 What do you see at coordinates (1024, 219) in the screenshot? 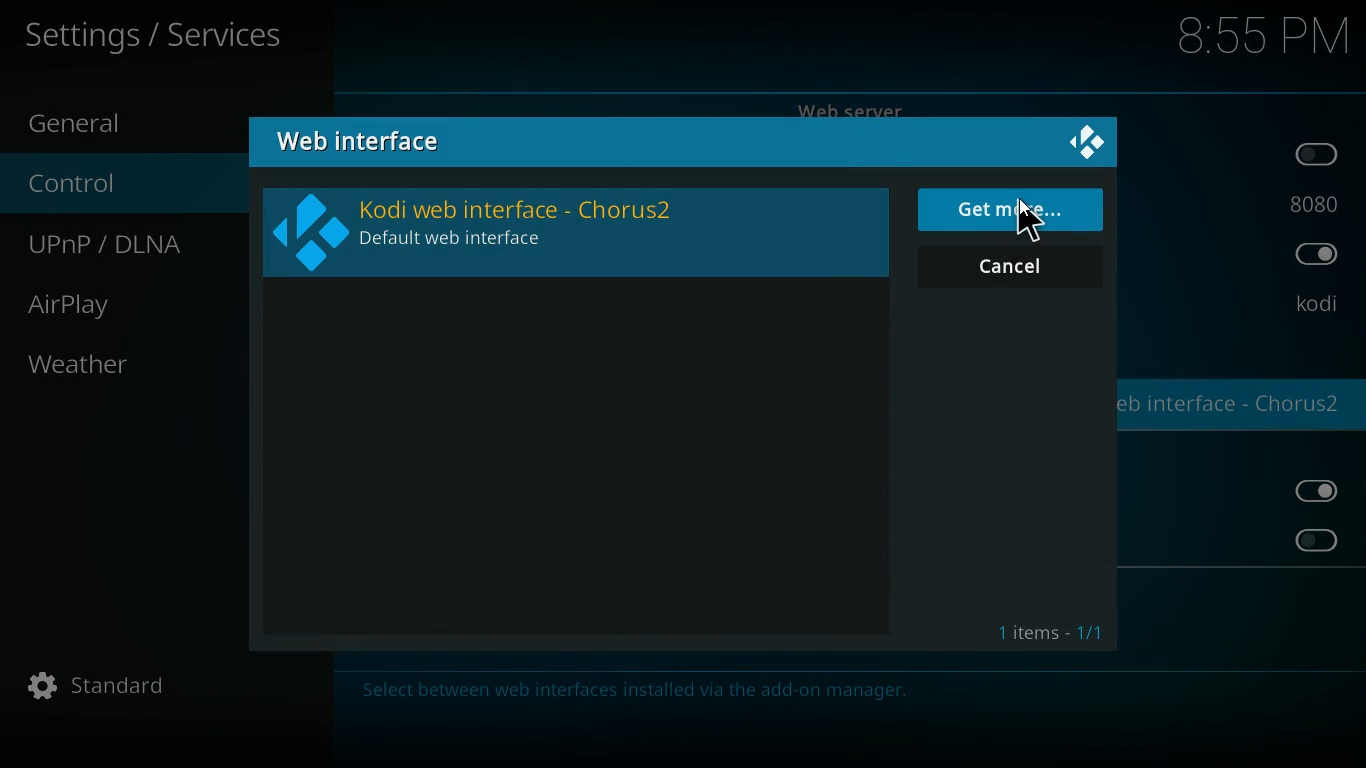
I see `Cursor` at bounding box center [1024, 219].